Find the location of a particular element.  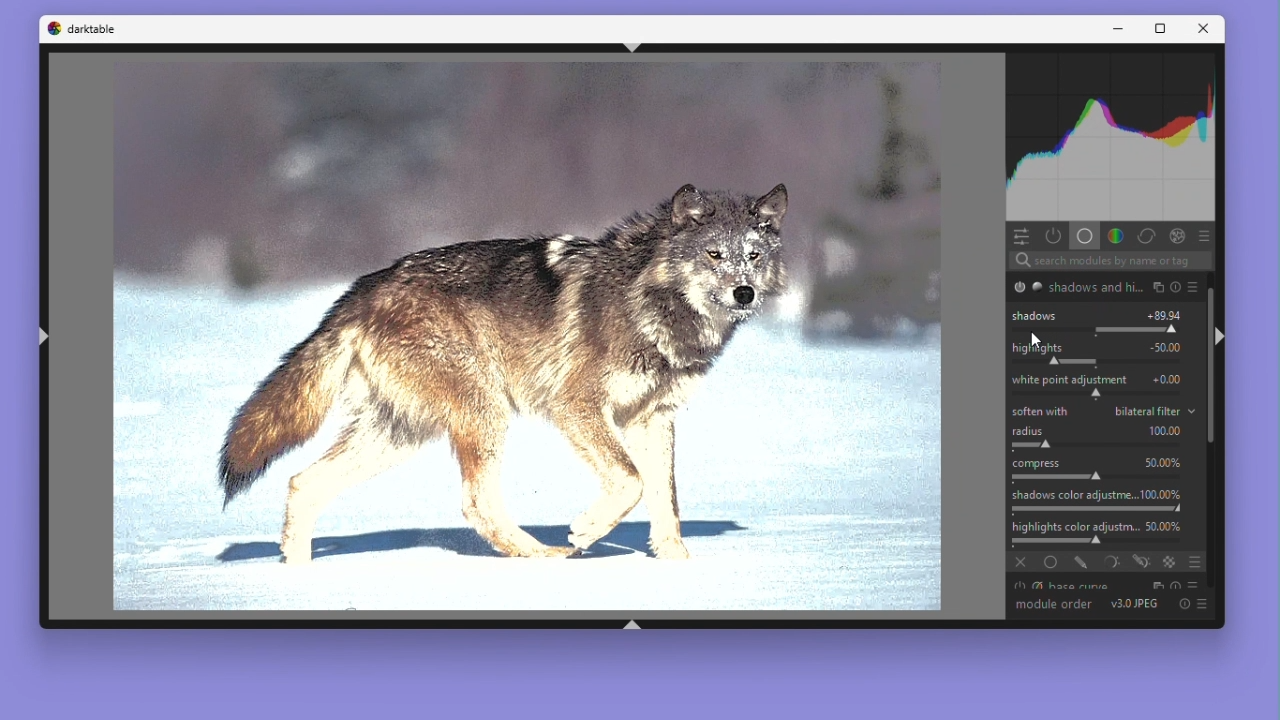

preset is located at coordinates (1206, 236).